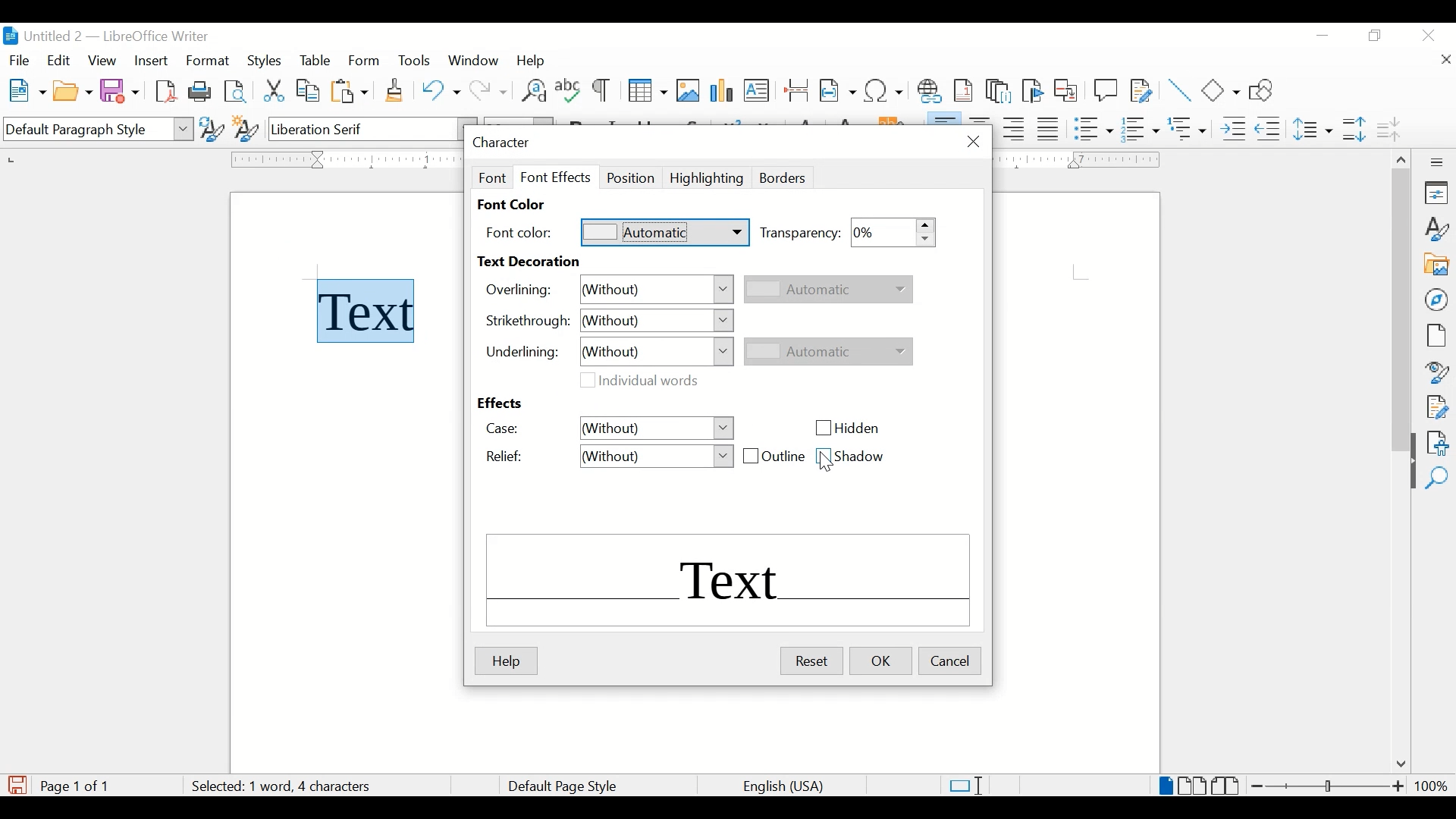  I want to click on toggle ordered list, so click(1140, 128).